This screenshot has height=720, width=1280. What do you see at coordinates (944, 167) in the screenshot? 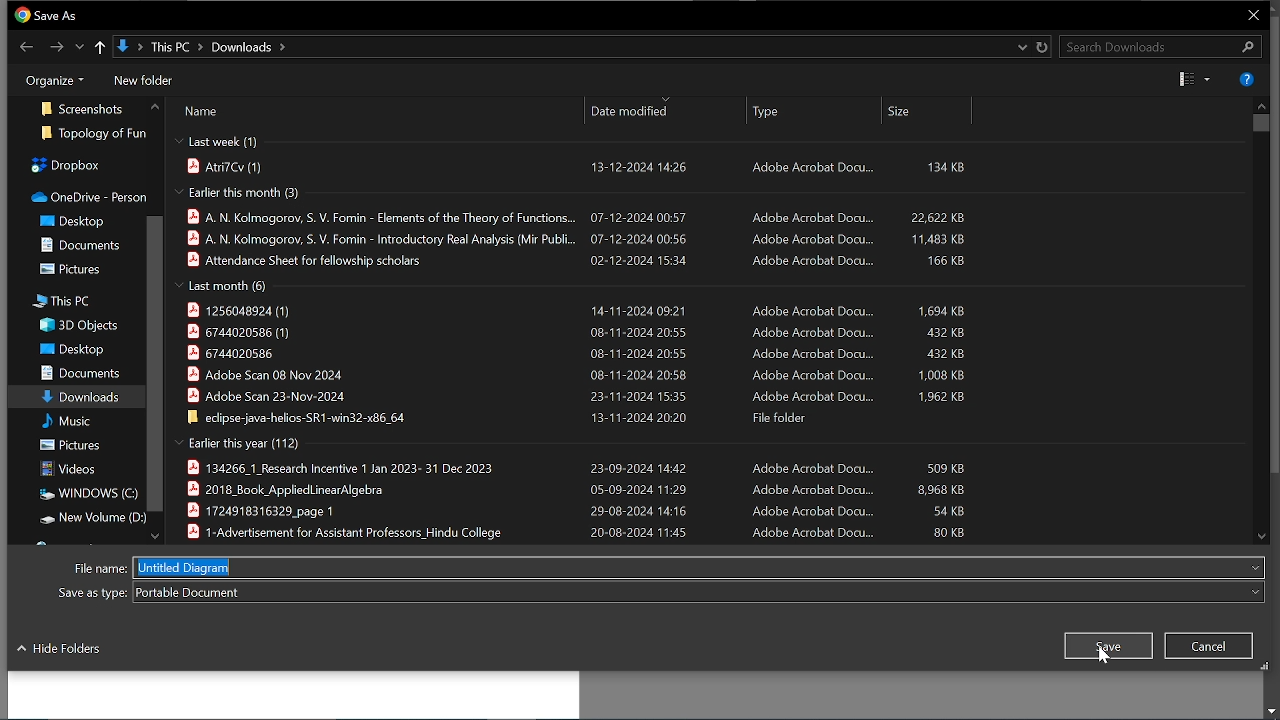
I see `134 KB` at bounding box center [944, 167].